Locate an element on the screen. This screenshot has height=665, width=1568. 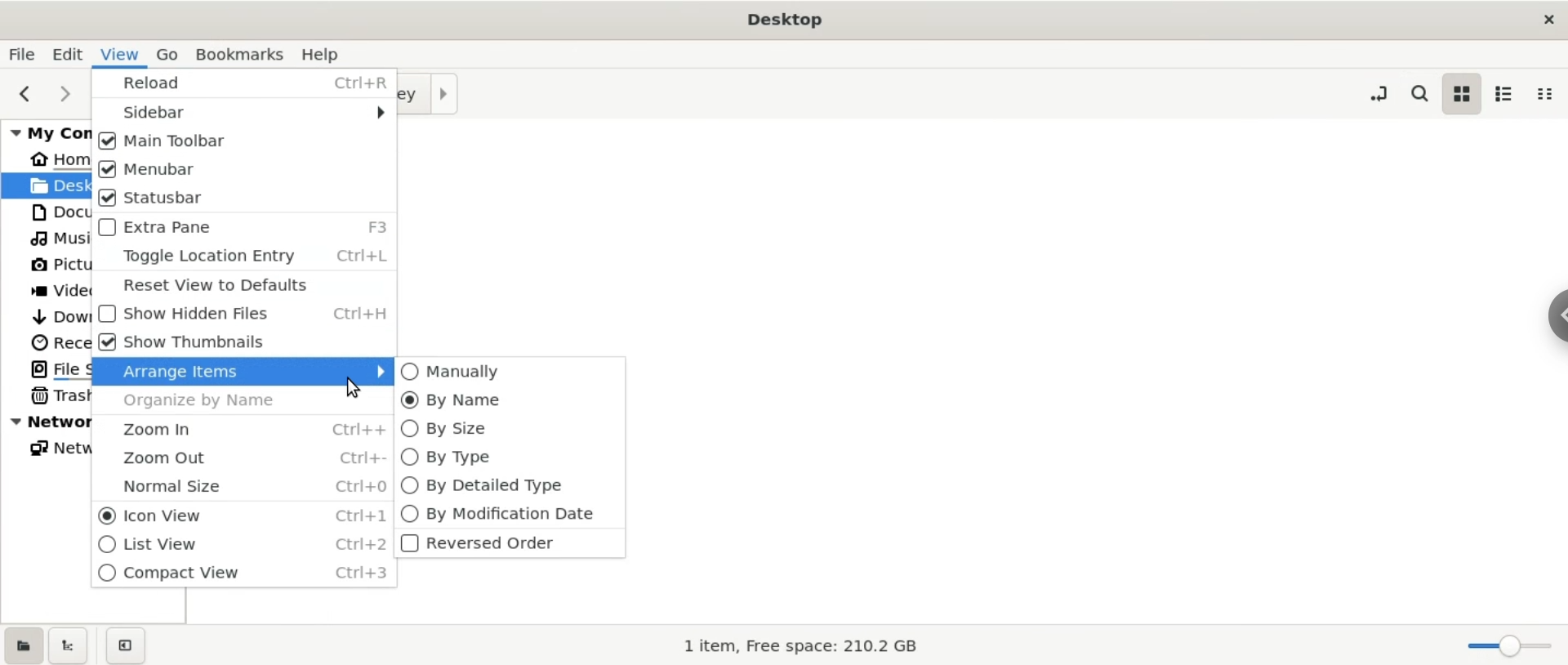
reversed order is located at coordinates (506, 544).